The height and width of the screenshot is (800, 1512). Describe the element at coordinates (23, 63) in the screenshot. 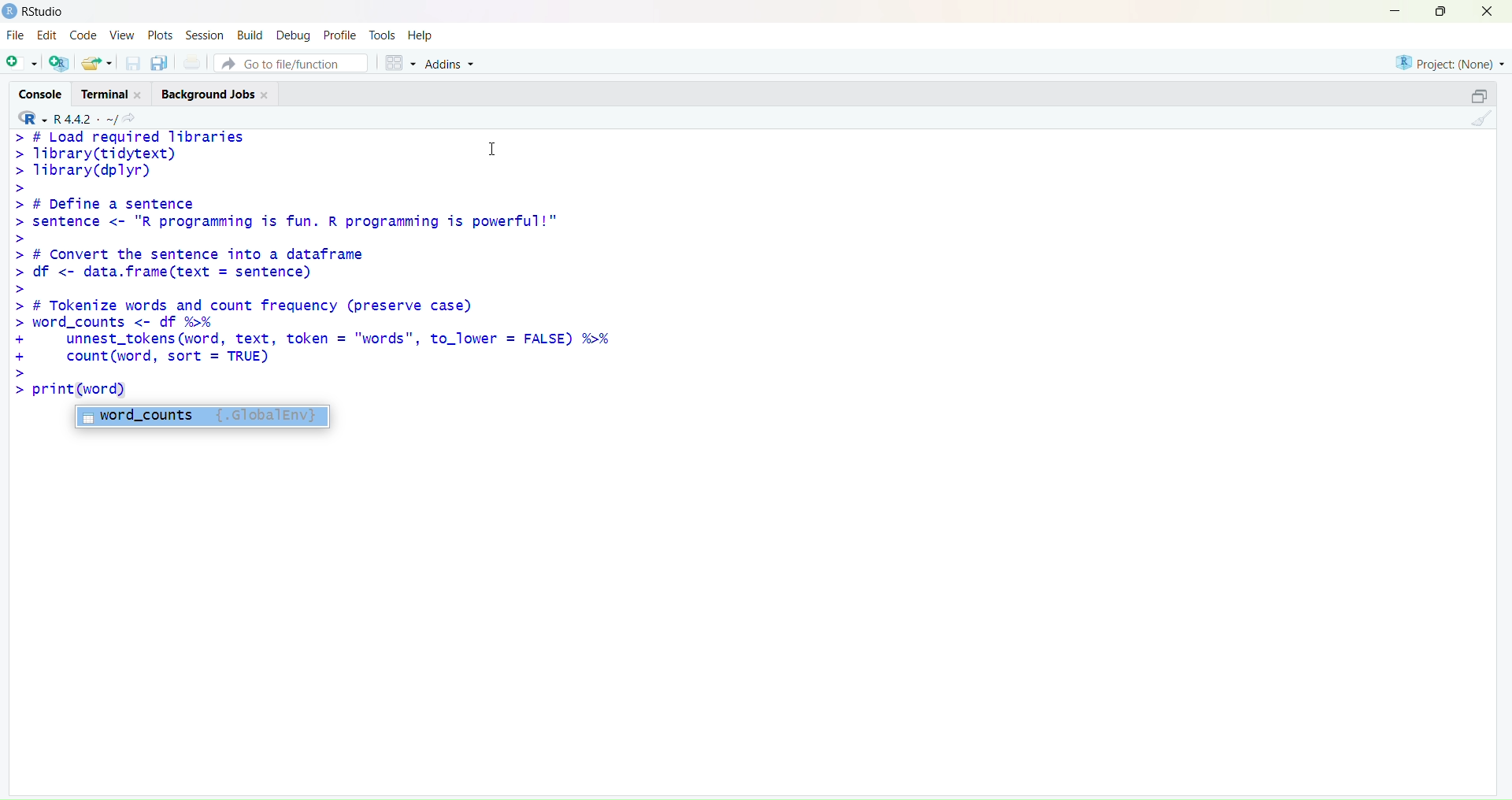

I see `new script` at that location.